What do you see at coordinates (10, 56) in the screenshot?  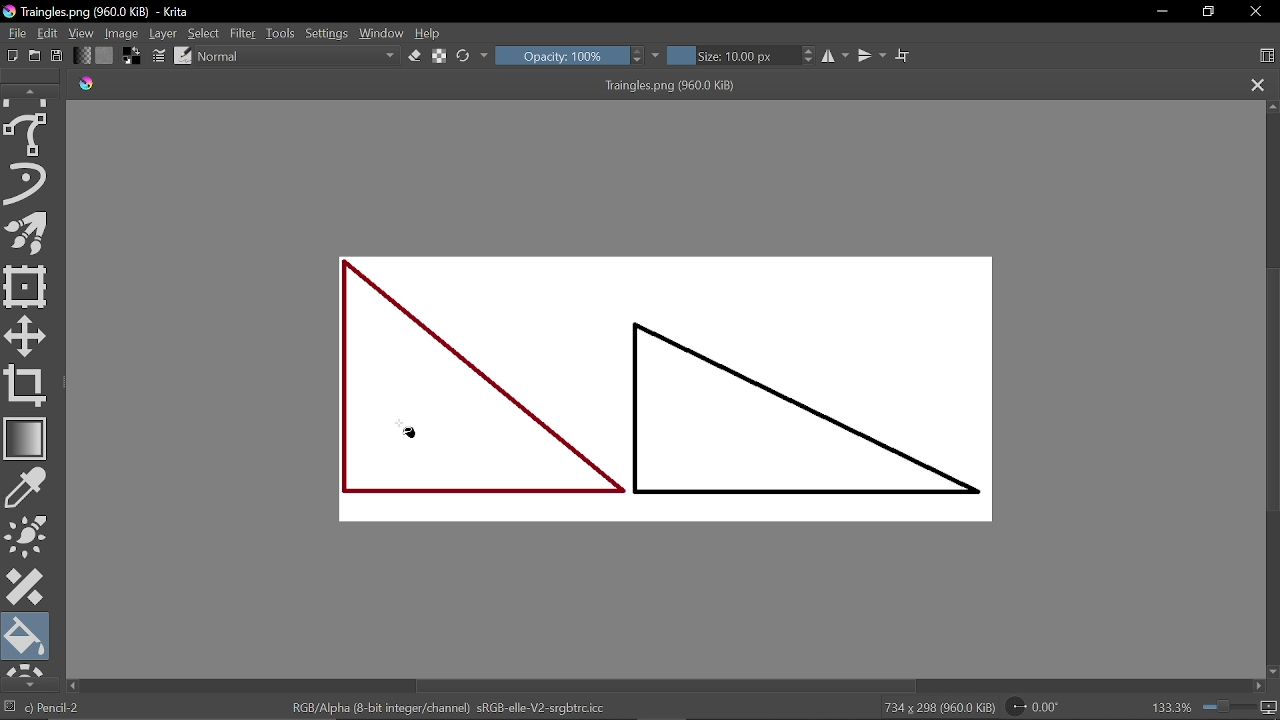 I see `Create new document` at bounding box center [10, 56].